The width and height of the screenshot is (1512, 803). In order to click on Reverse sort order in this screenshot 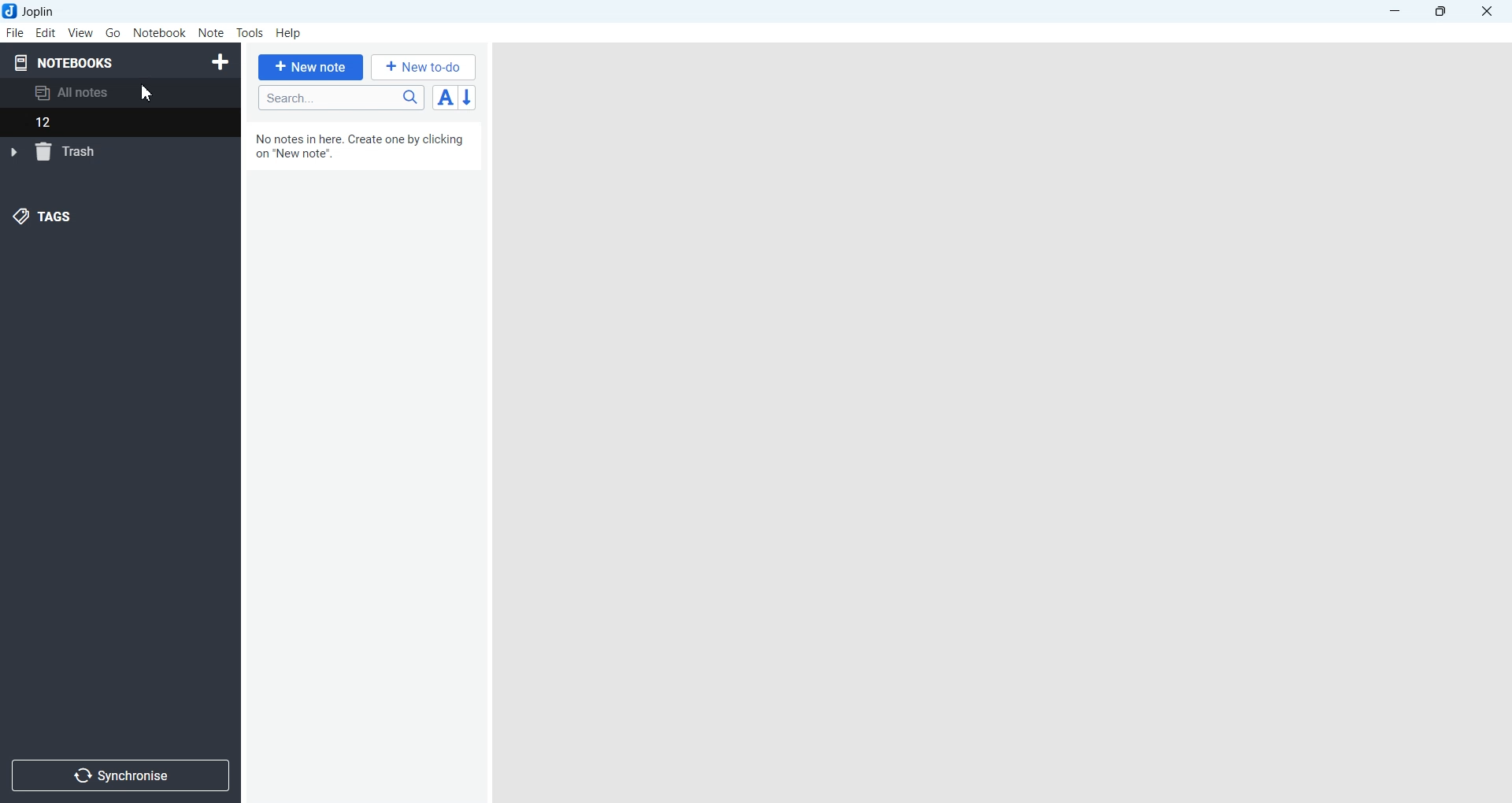, I will do `click(469, 98)`.